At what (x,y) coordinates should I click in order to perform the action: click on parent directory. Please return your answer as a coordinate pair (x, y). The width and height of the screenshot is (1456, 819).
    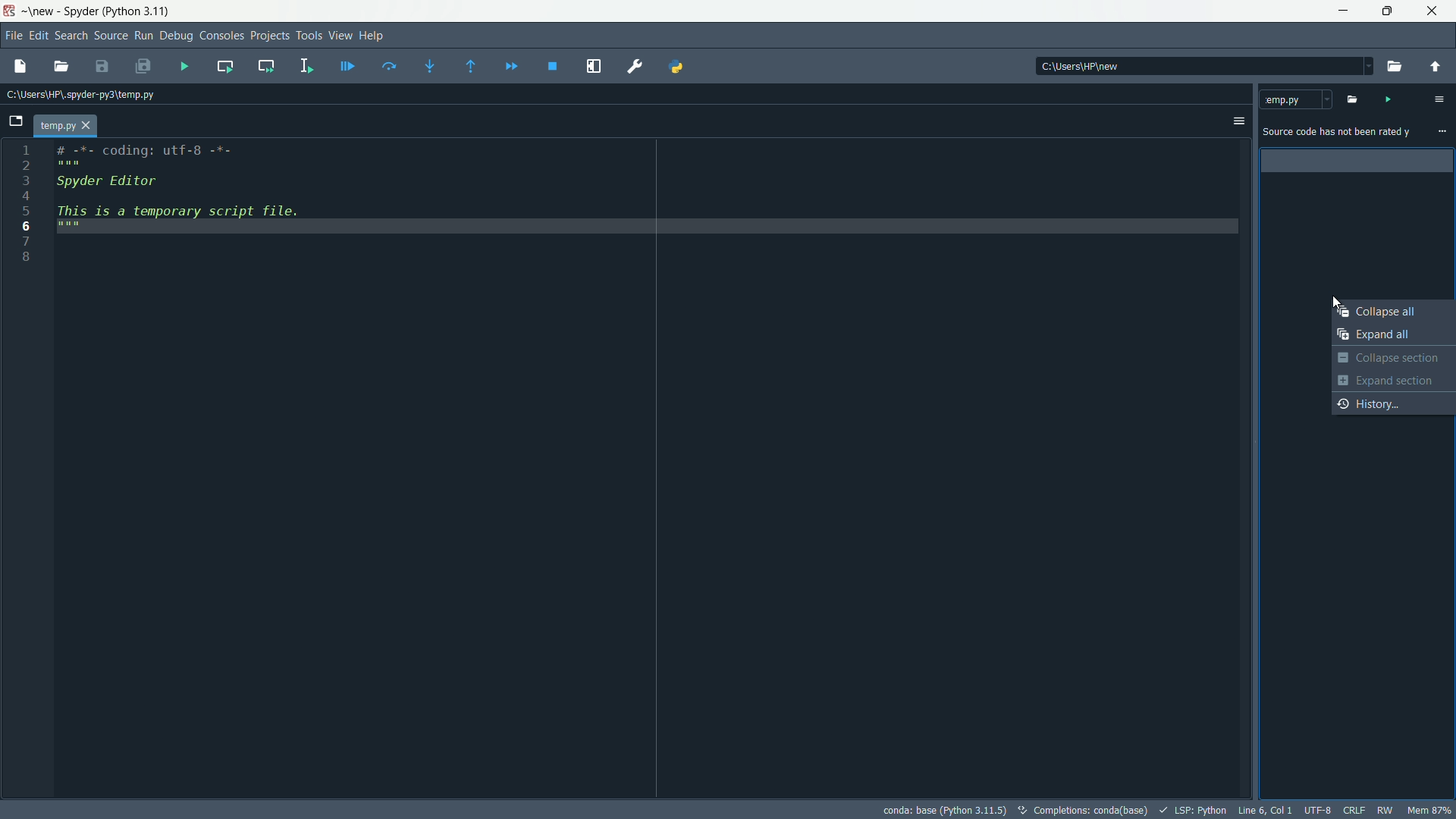
    Looking at the image, I should click on (1436, 65).